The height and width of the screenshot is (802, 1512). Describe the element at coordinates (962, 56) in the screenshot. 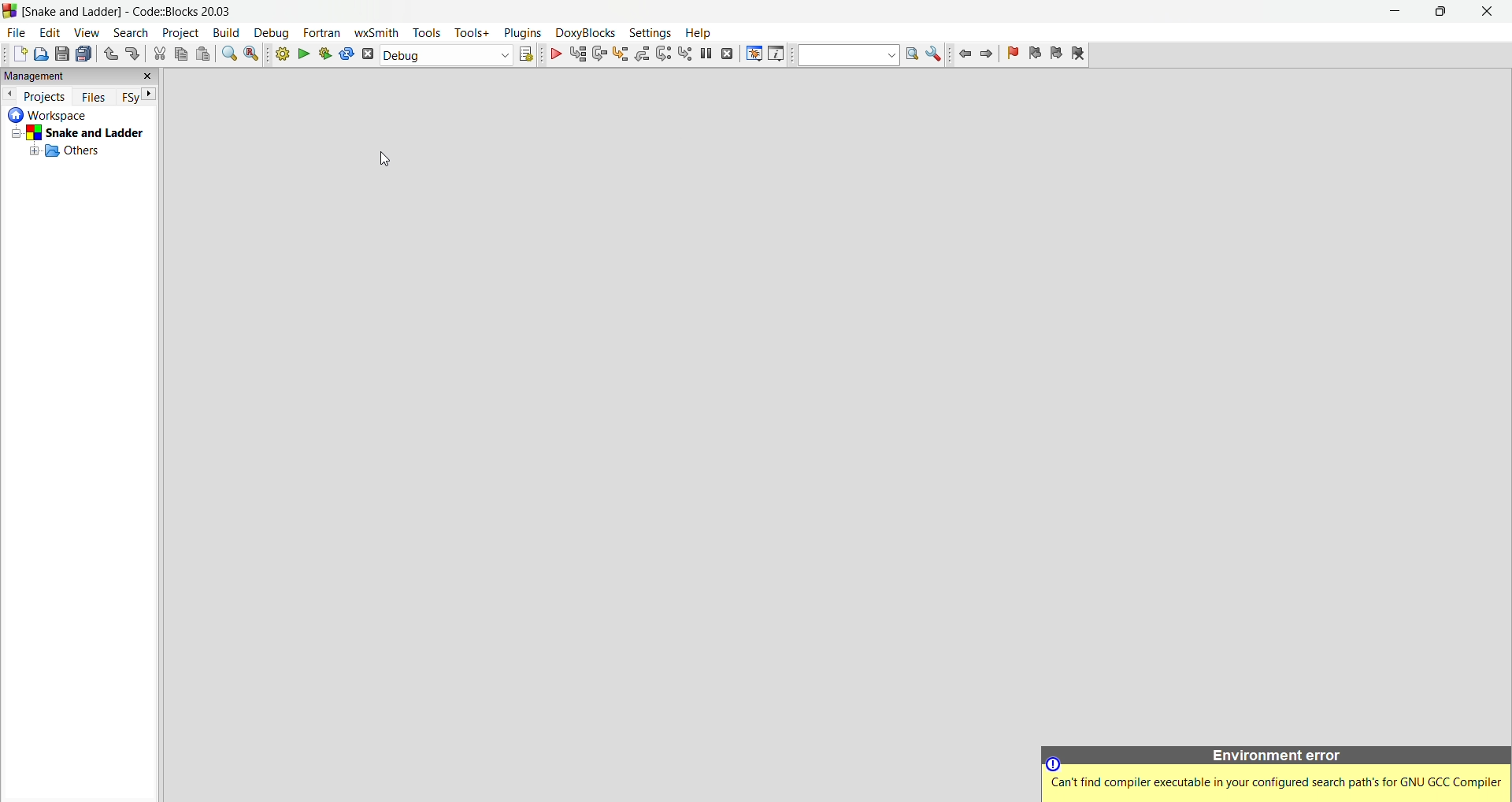

I see `jump back ` at that location.